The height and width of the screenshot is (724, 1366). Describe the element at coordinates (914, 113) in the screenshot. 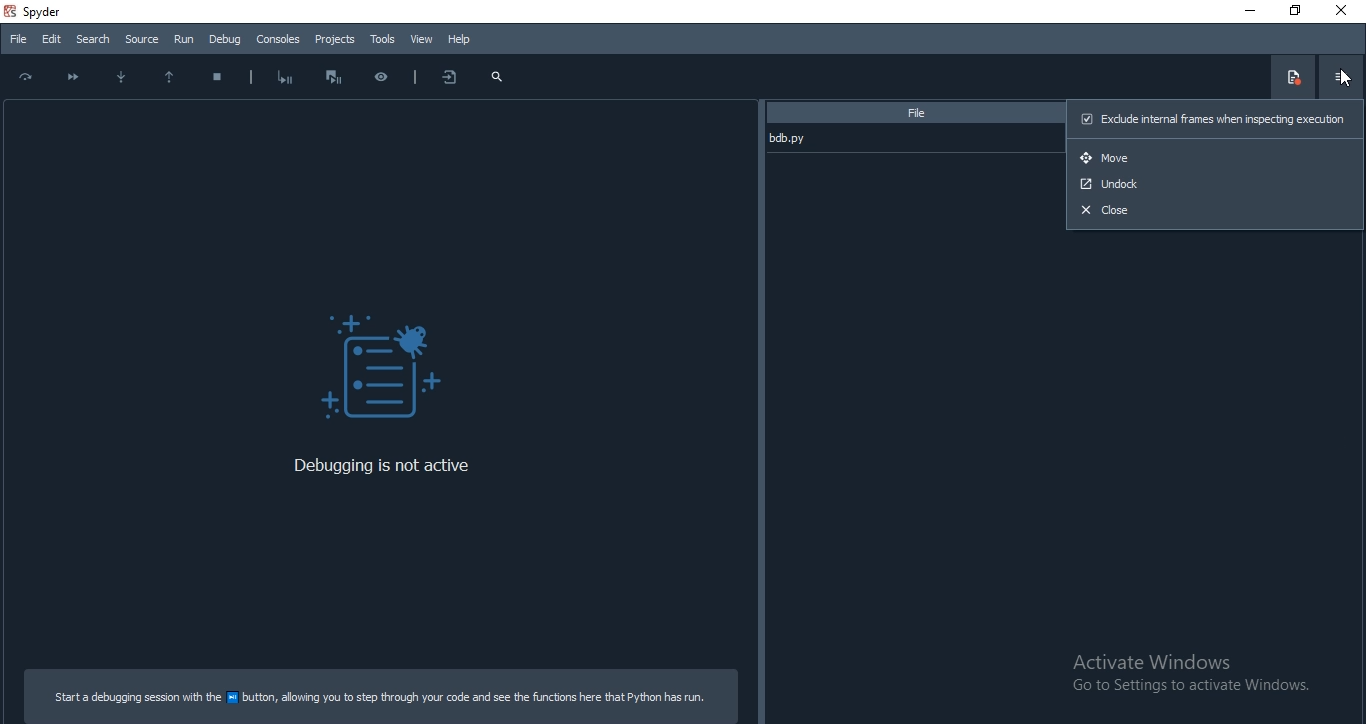

I see `File` at that location.